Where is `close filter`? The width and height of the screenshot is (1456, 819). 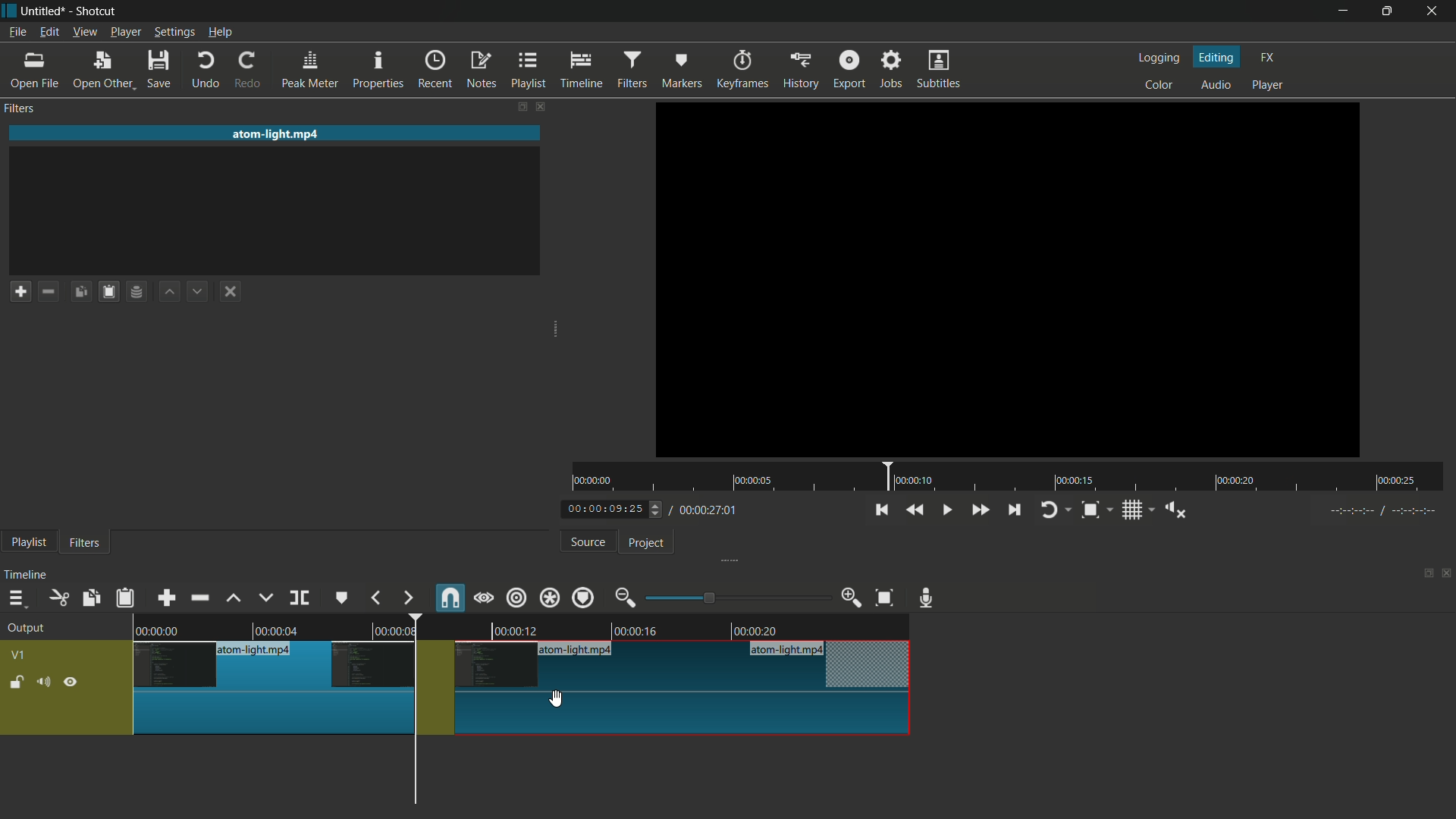 close filter is located at coordinates (539, 105).